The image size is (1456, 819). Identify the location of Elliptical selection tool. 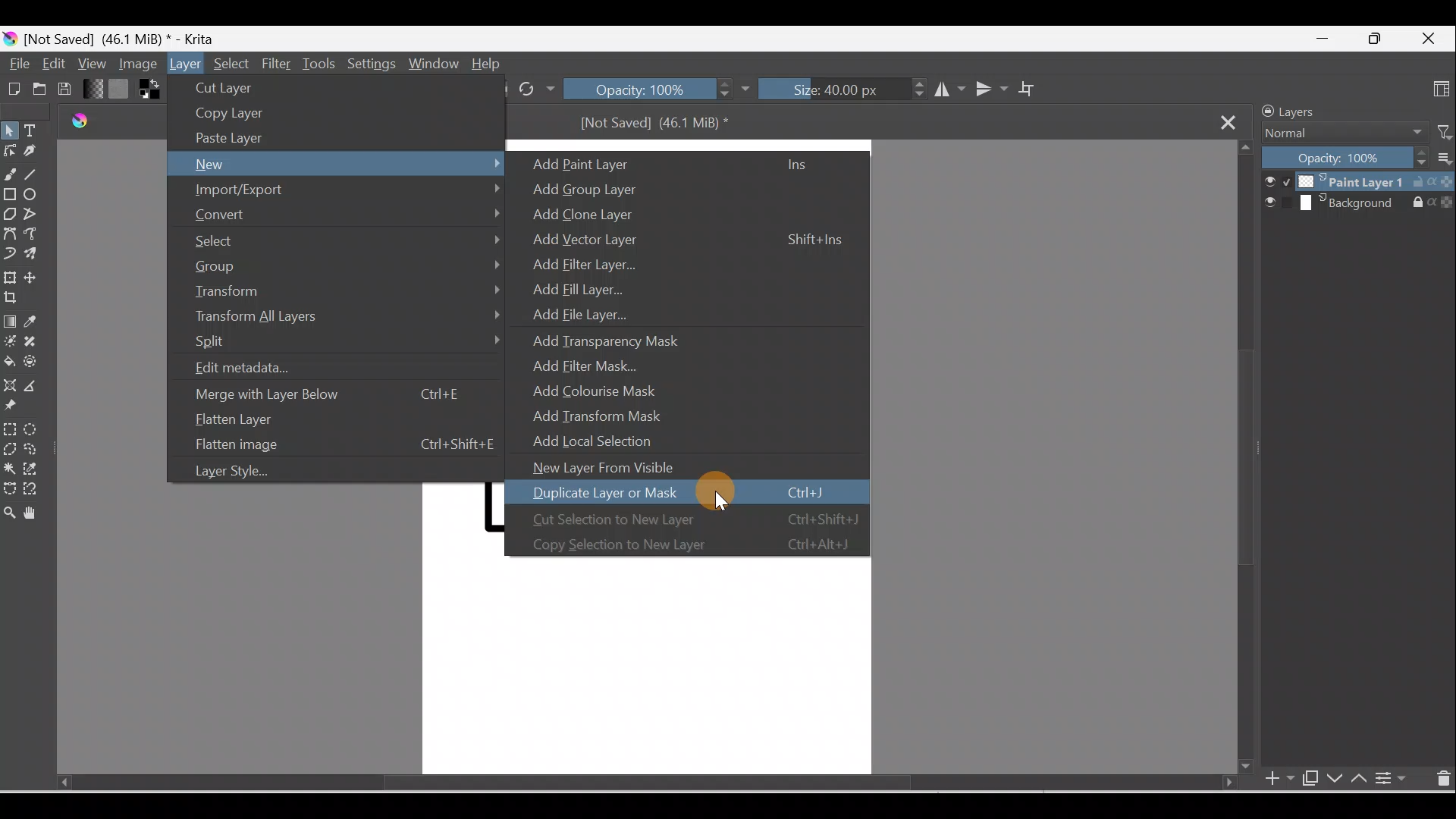
(34, 429).